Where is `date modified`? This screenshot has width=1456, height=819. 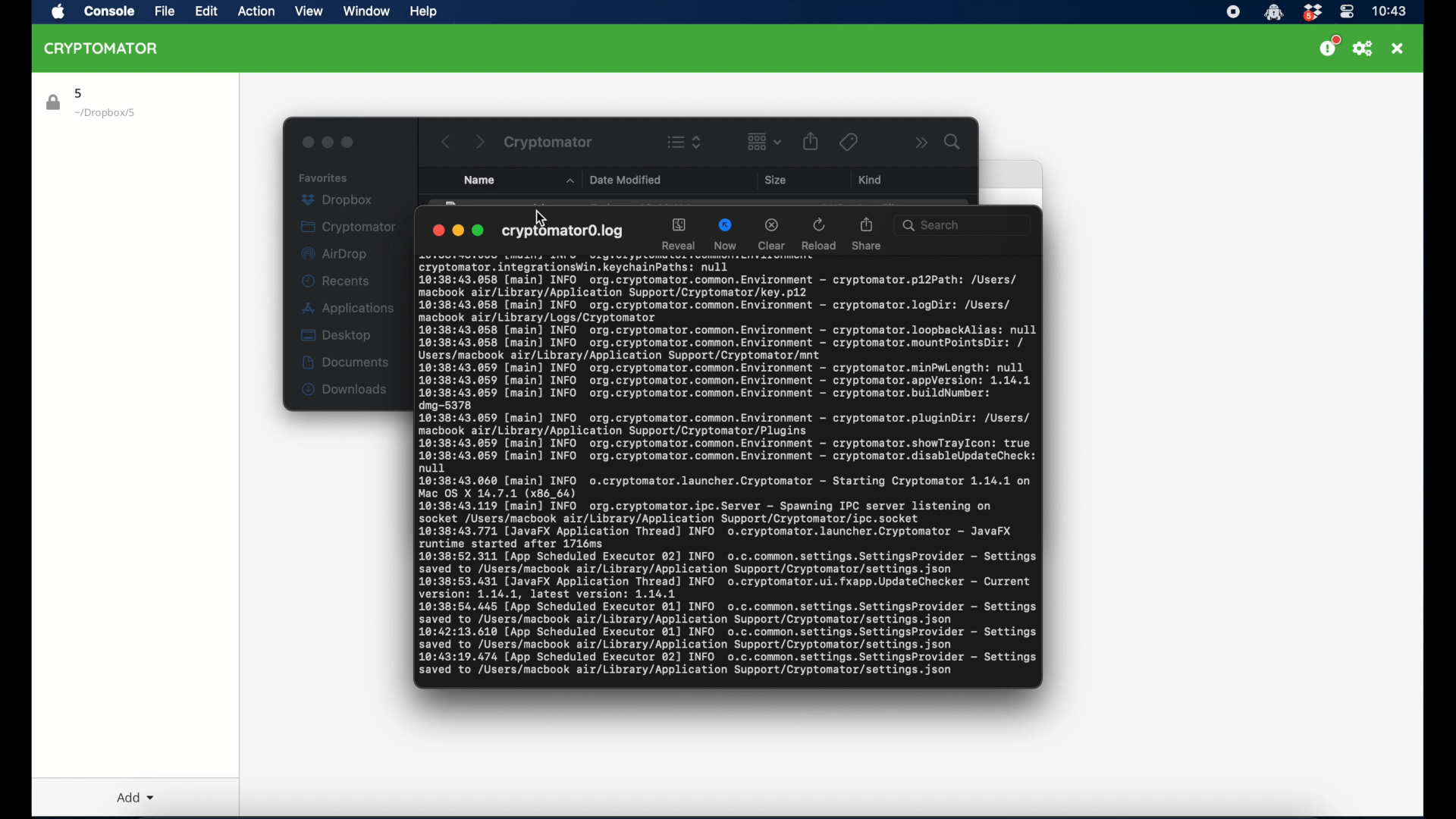
date modified is located at coordinates (627, 180).